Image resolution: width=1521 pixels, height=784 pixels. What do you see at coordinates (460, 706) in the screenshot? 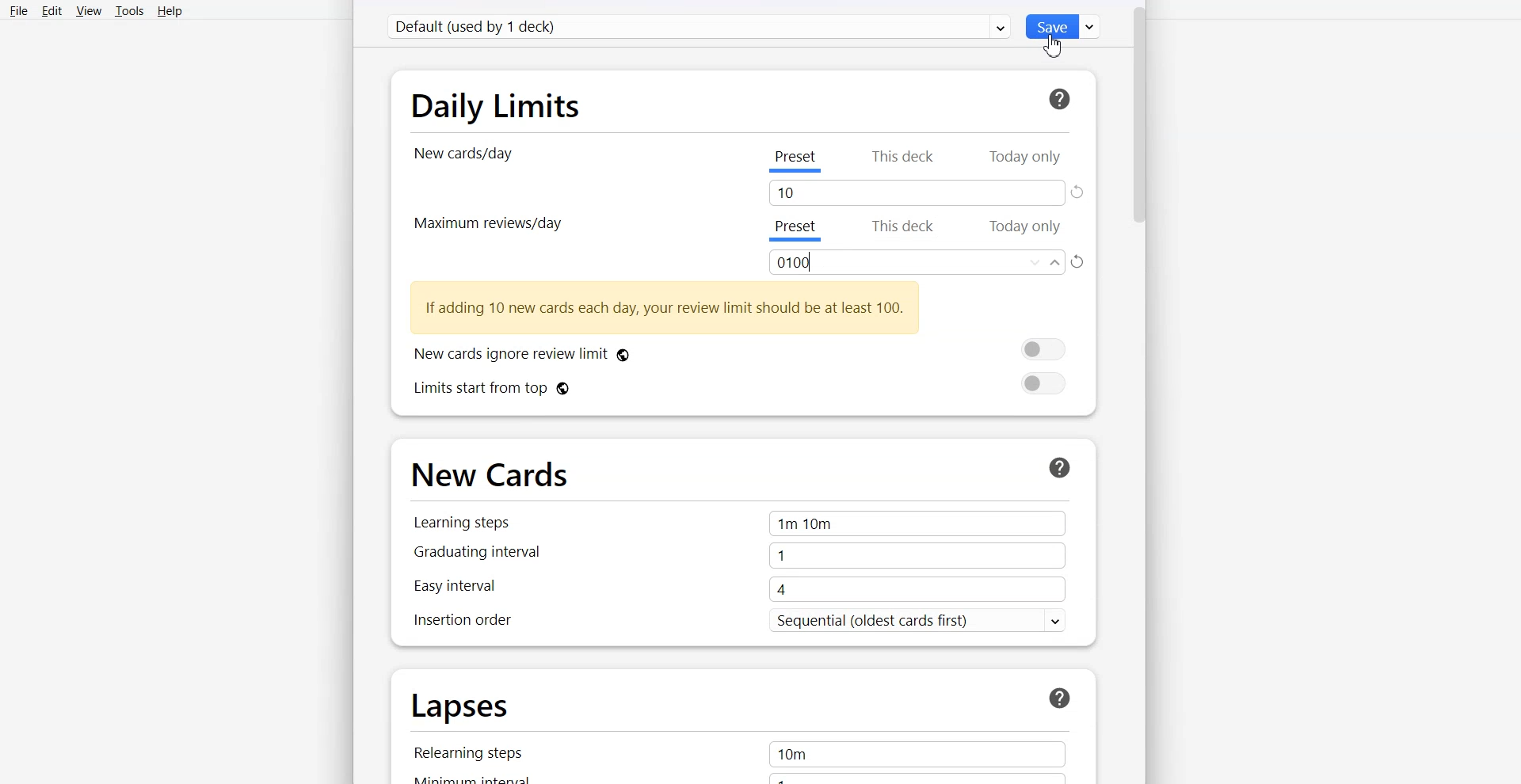
I see `Lapses` at bounding box center [460, 706].